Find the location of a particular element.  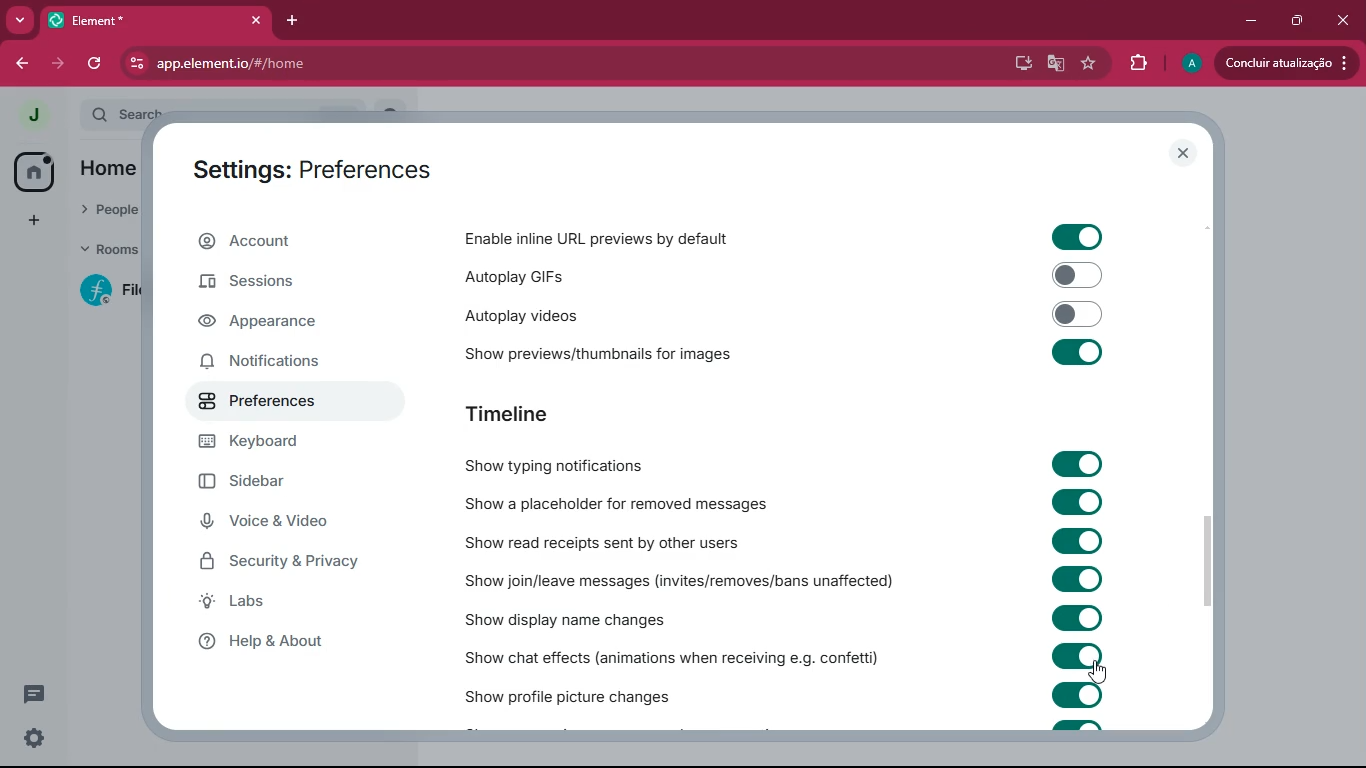

show typing notifications is located at coordinates (570, 465).